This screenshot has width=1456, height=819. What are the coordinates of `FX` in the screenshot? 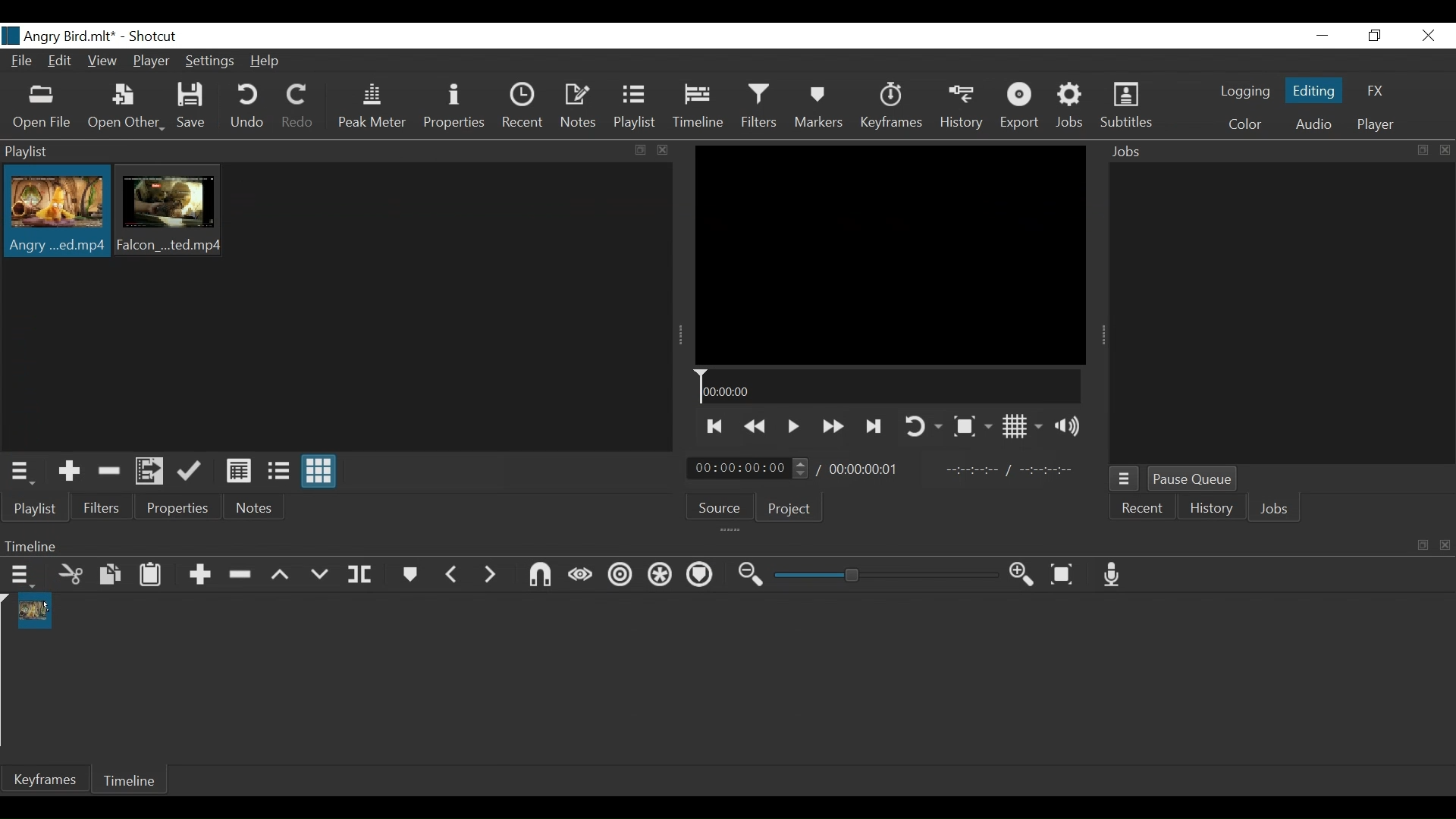 It's located at (1376, 91).